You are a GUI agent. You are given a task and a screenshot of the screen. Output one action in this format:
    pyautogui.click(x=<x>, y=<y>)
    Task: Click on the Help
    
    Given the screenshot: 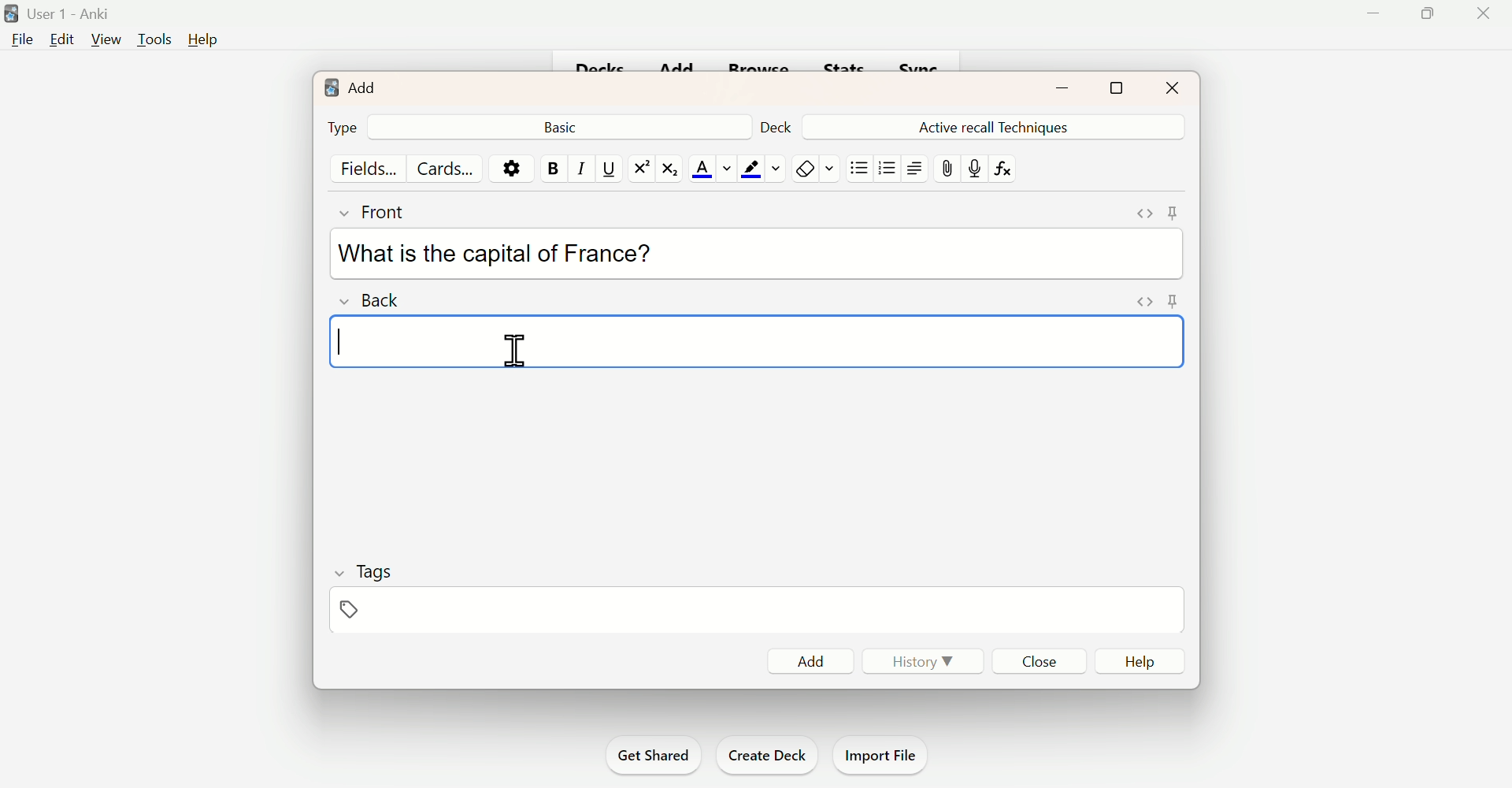 What is the action you would take?
    pyautogui.click(x=204, y=41)
    